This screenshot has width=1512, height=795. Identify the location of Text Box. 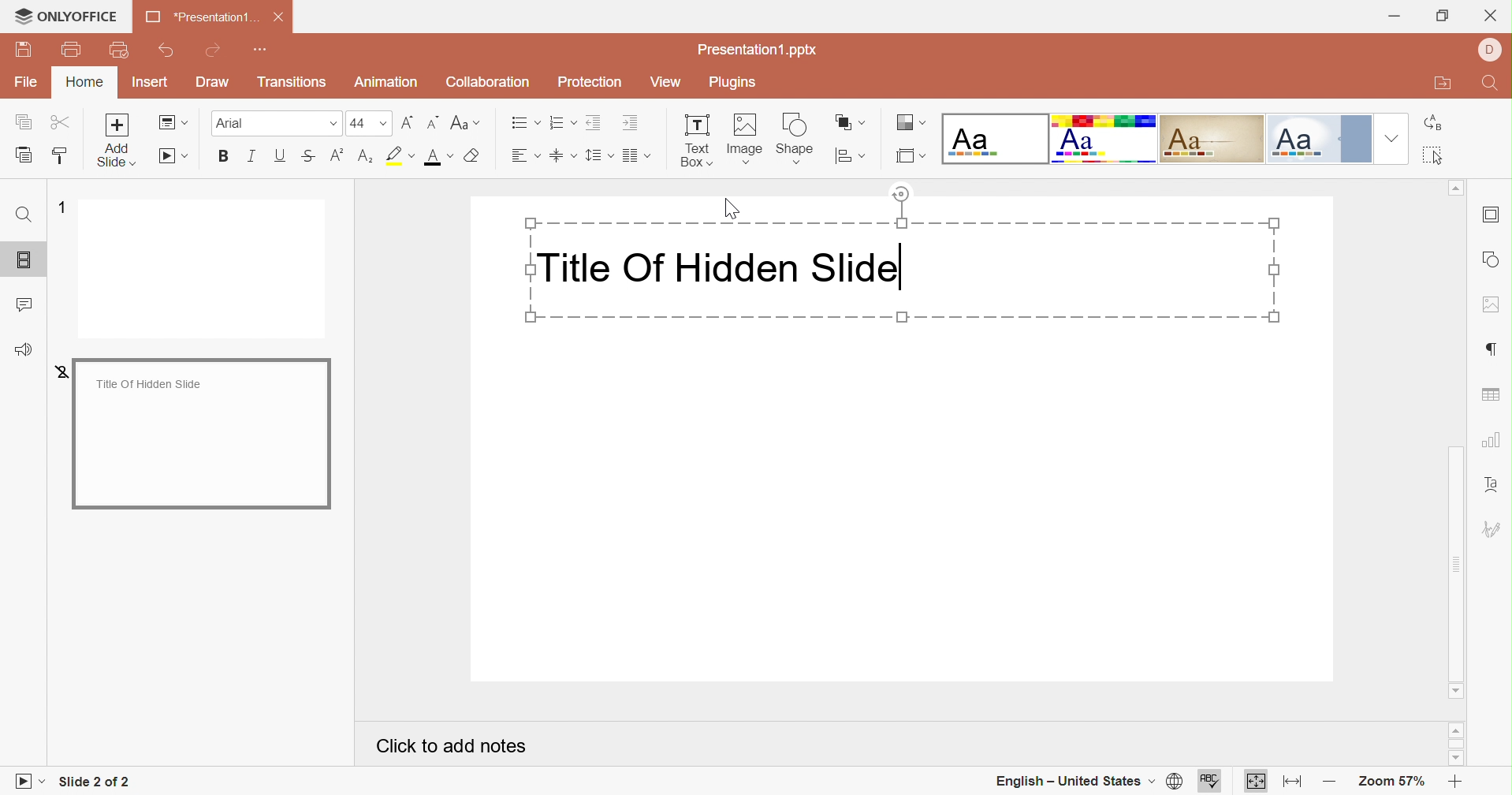
(698, 143).